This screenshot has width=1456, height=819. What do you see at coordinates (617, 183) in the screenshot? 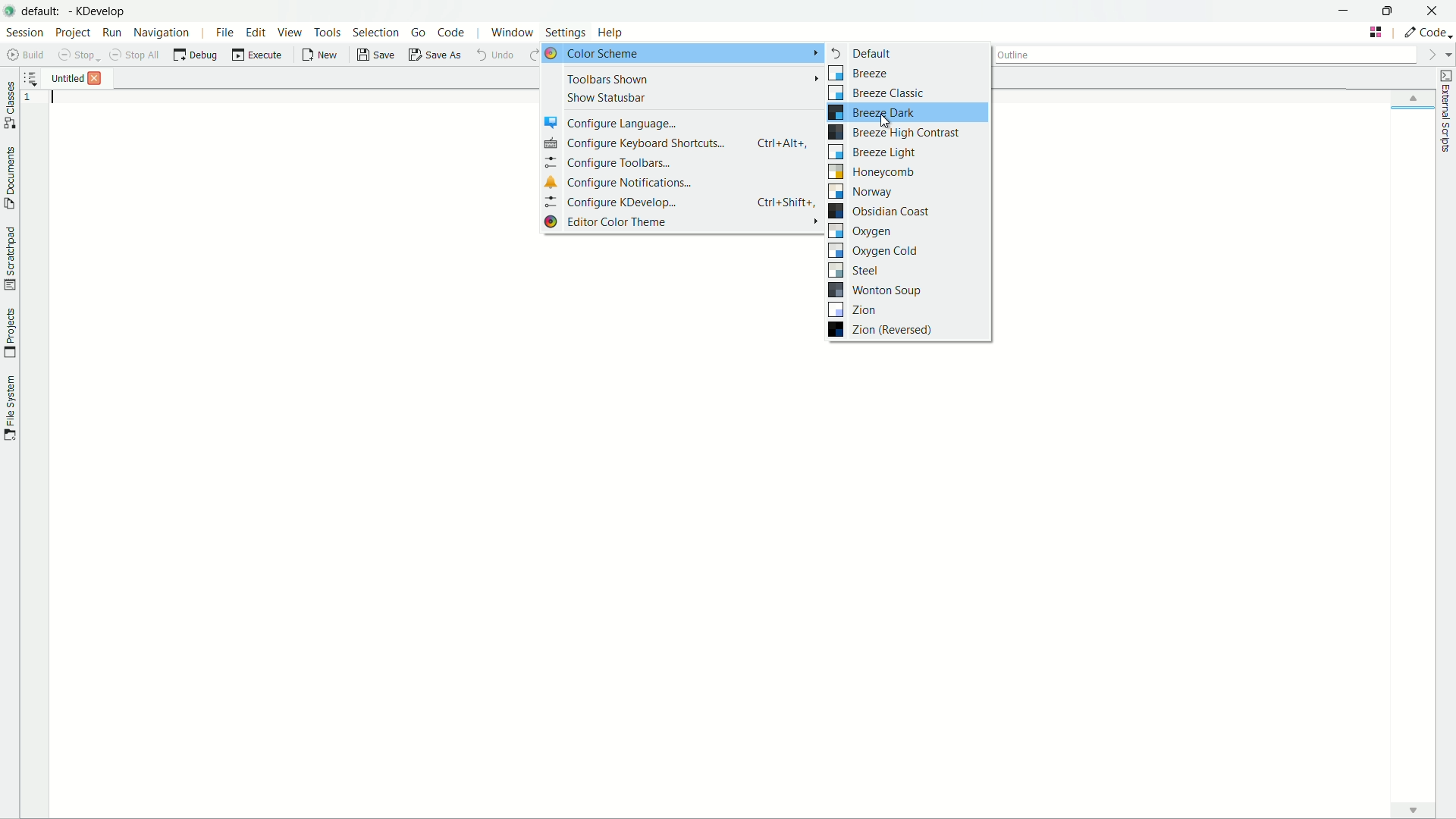
I see `configure notifications` at bounding box center [617, 183].